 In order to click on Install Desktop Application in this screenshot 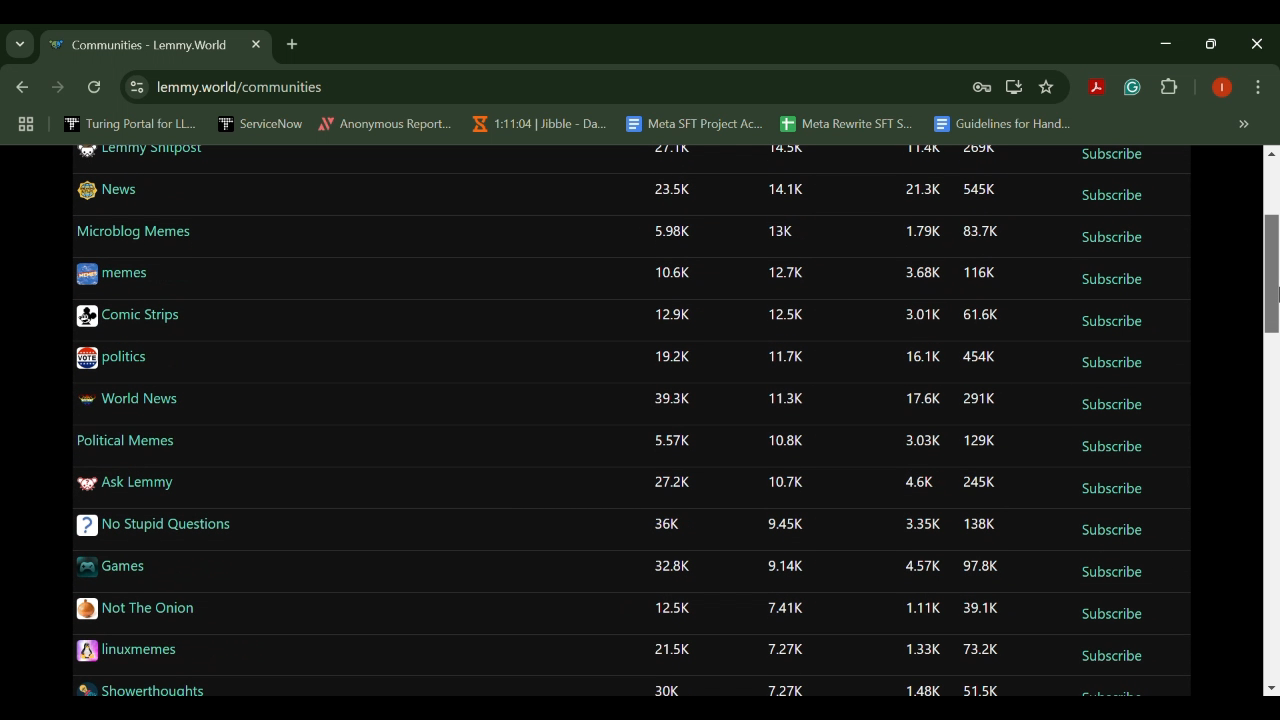, I will do `click(1013, 87)`.